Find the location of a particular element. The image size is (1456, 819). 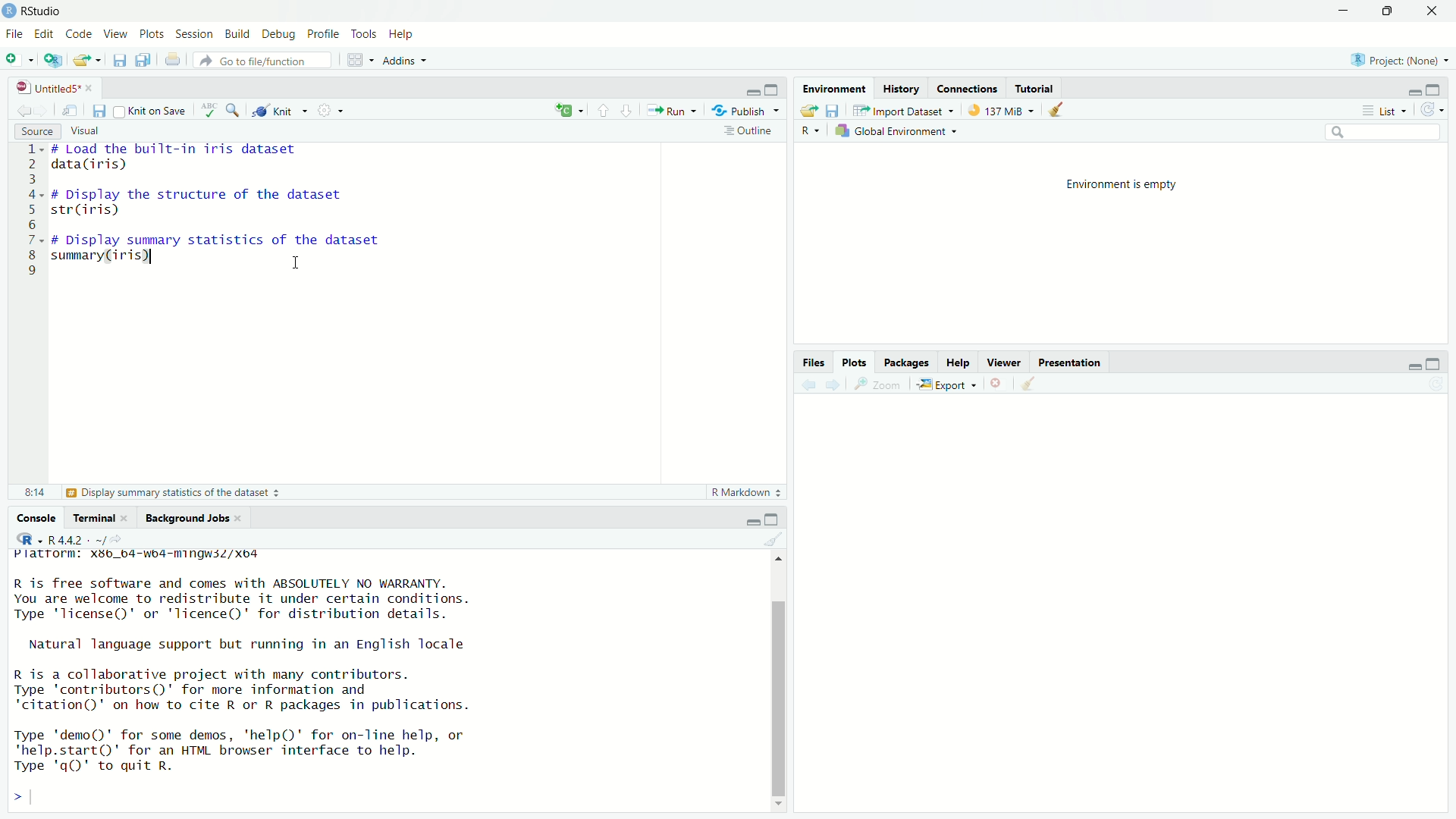

Export log history is located at coordinates (811, 109).